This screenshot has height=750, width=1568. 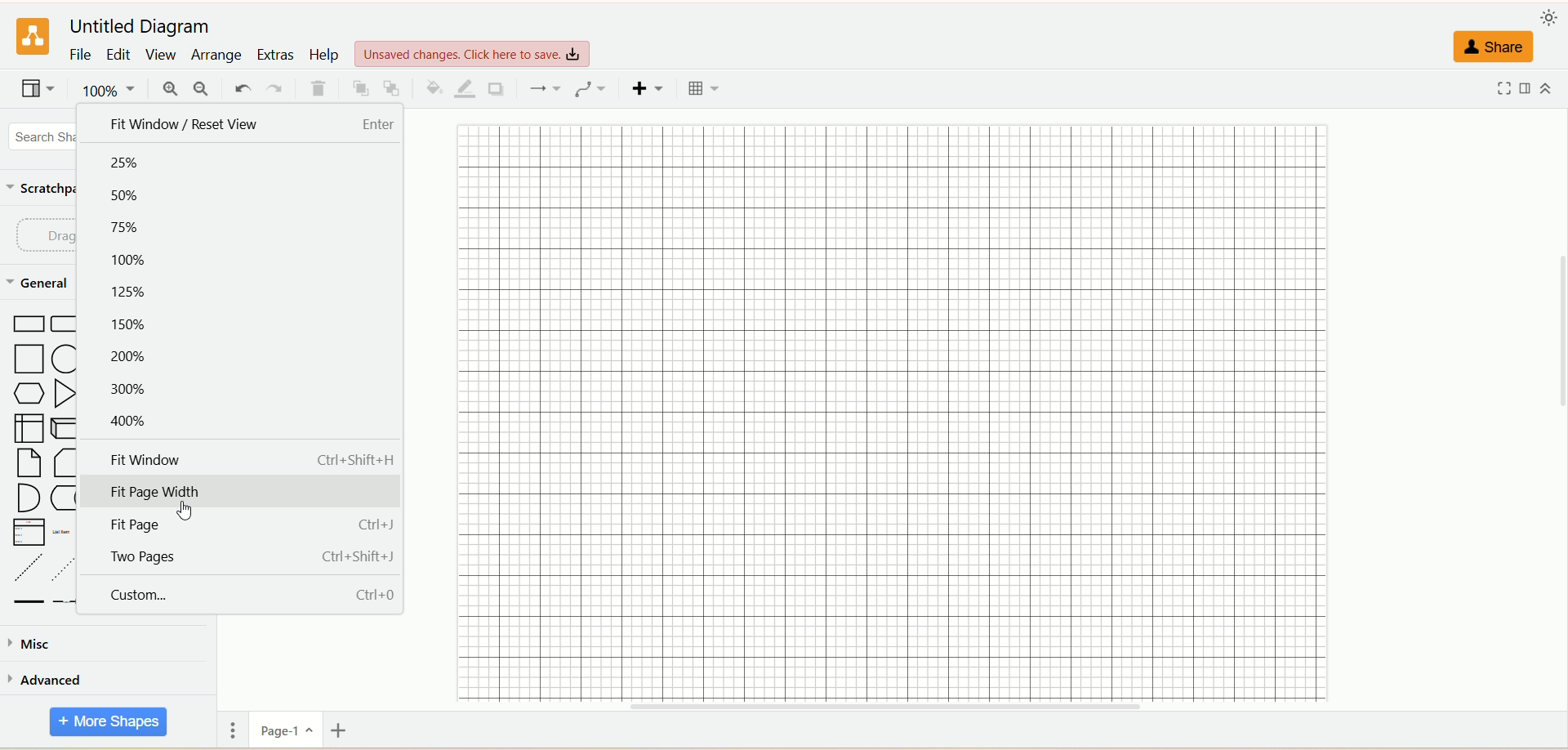 What do you see at coordinates (46, 186) in the screenshot?
I see `~ Scratchp:` at bounding box center [46, 186].